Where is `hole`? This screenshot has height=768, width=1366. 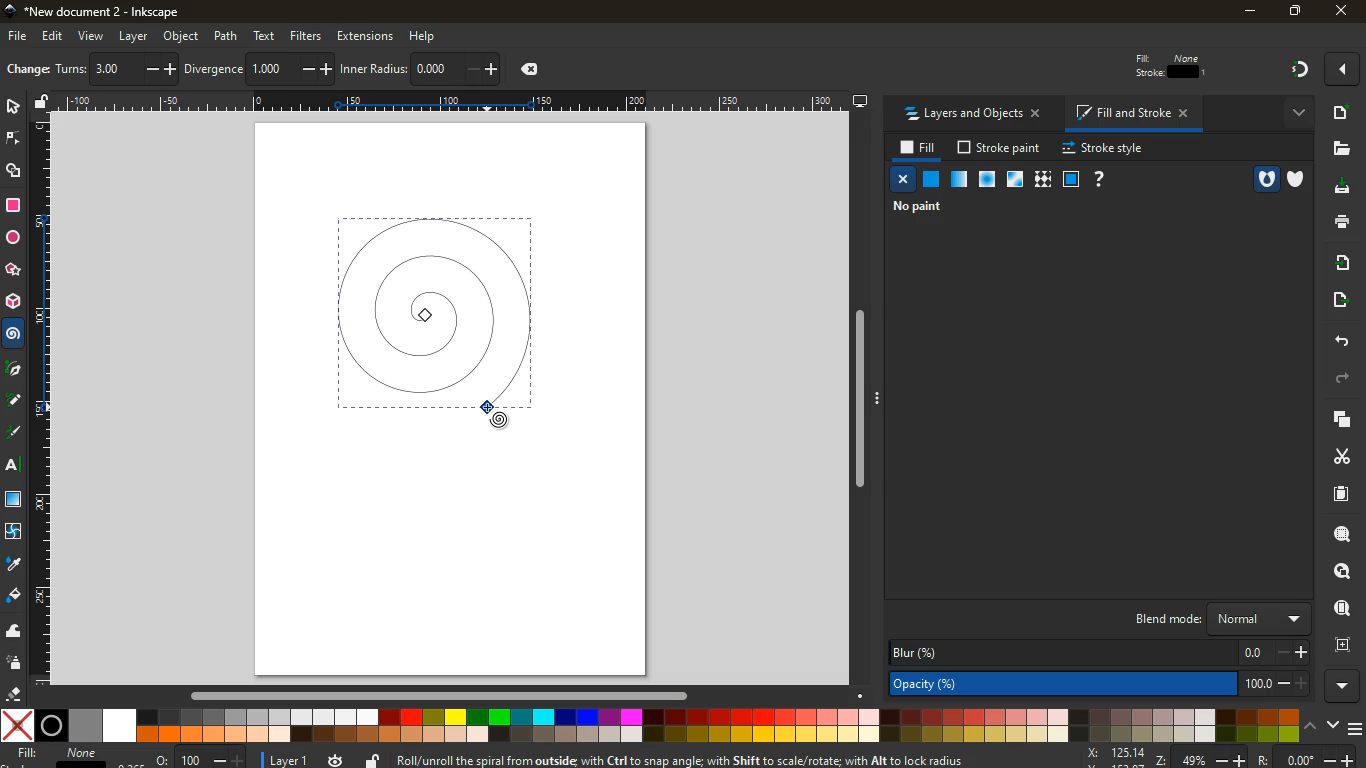 hole is located at coordinates (1257, 179).